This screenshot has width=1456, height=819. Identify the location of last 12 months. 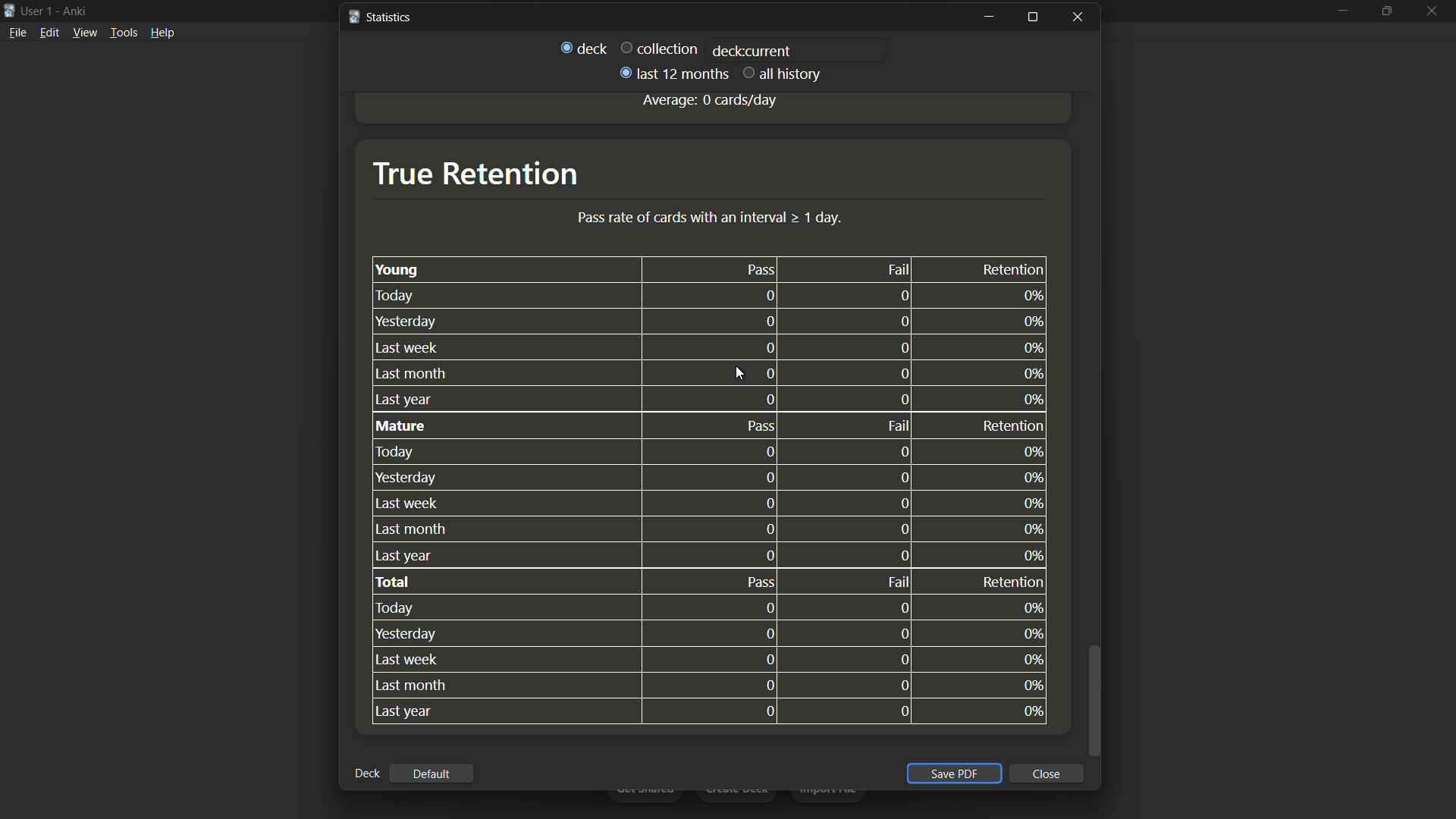
(672, 74).